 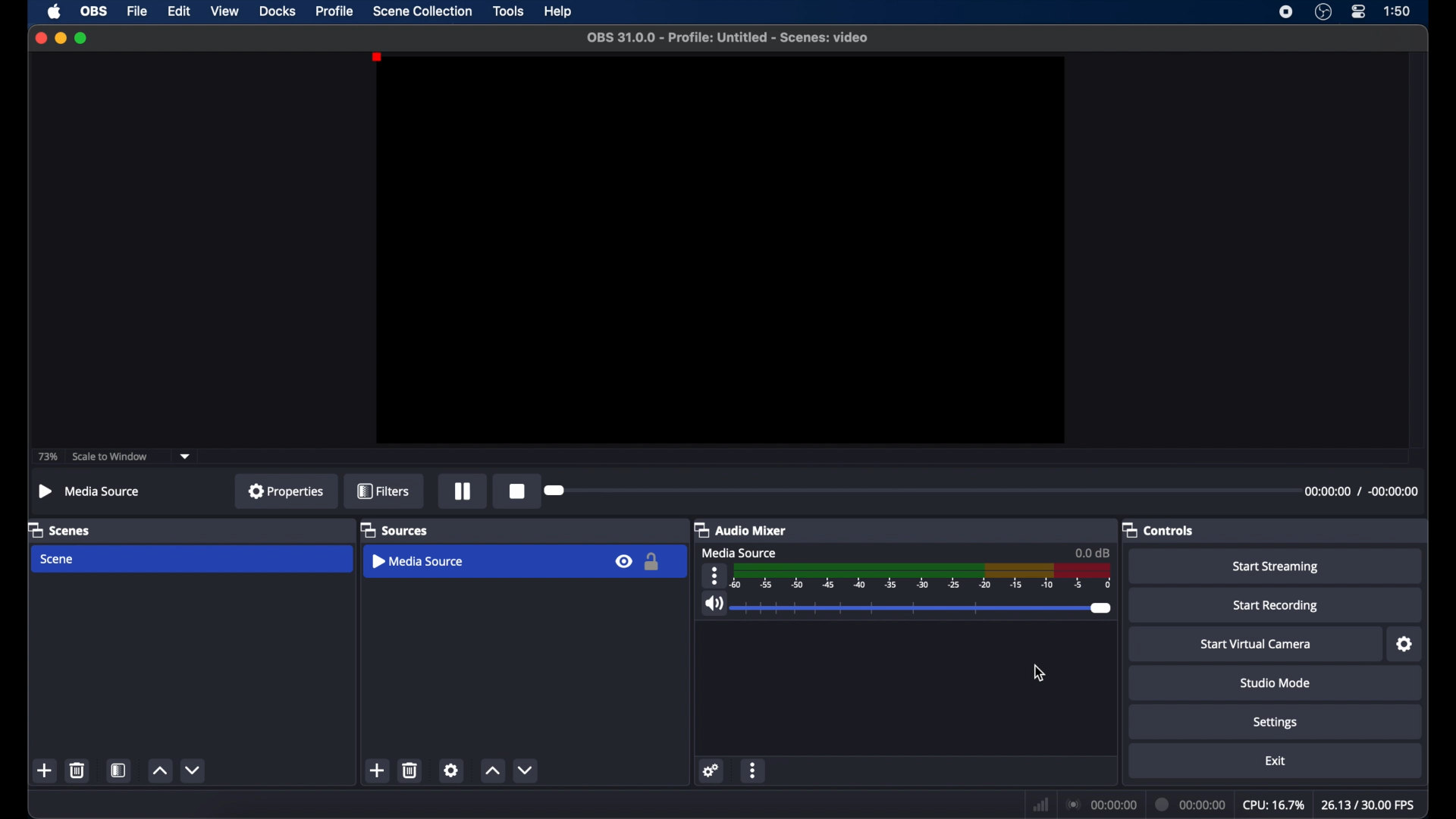 I want to click on docks, so click(x=278, y=10).